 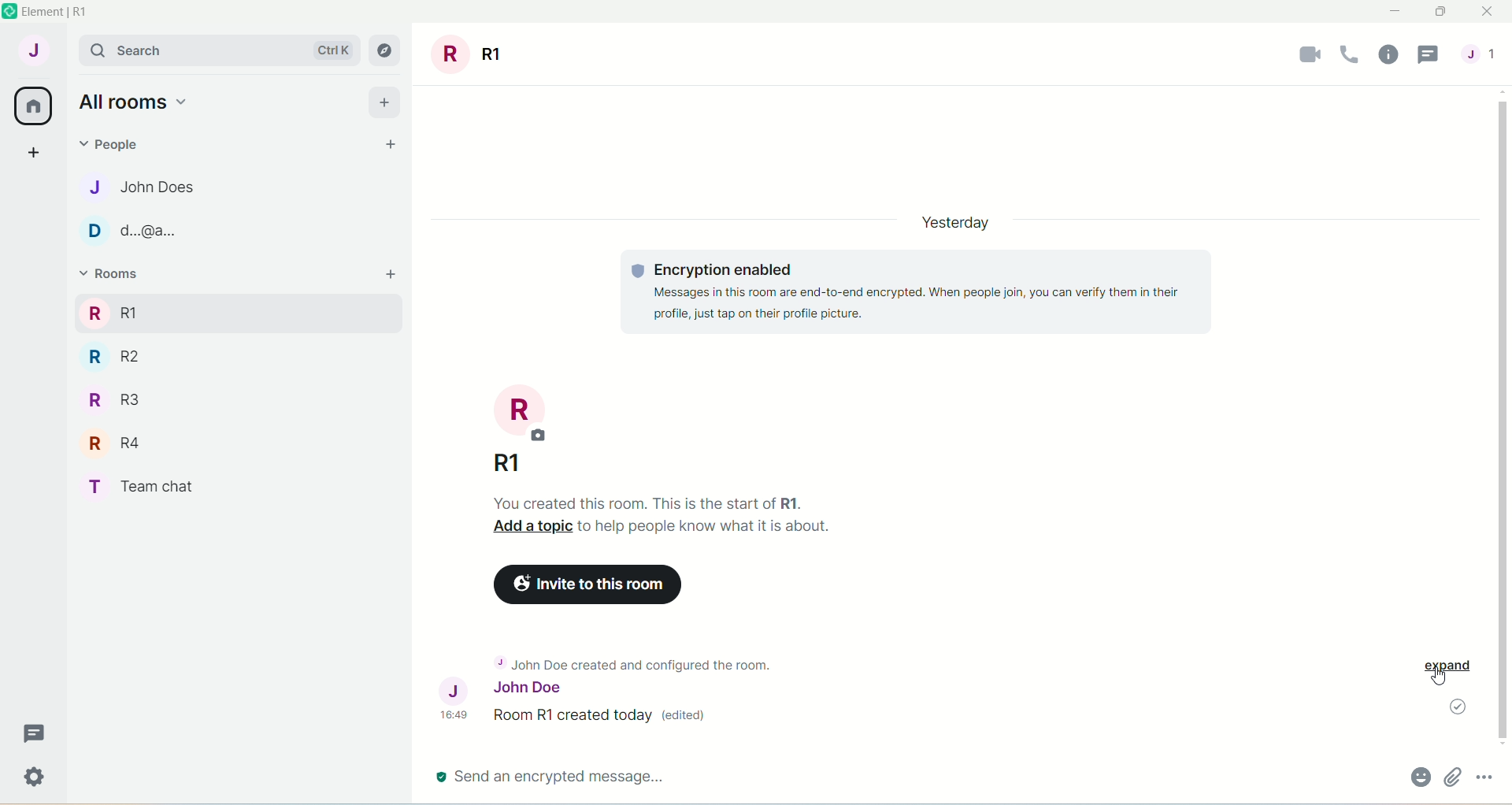 What do you see at coordinates (388, 51) in the screenshot?
I see `explore rooms` at bounding box center [388, 51].